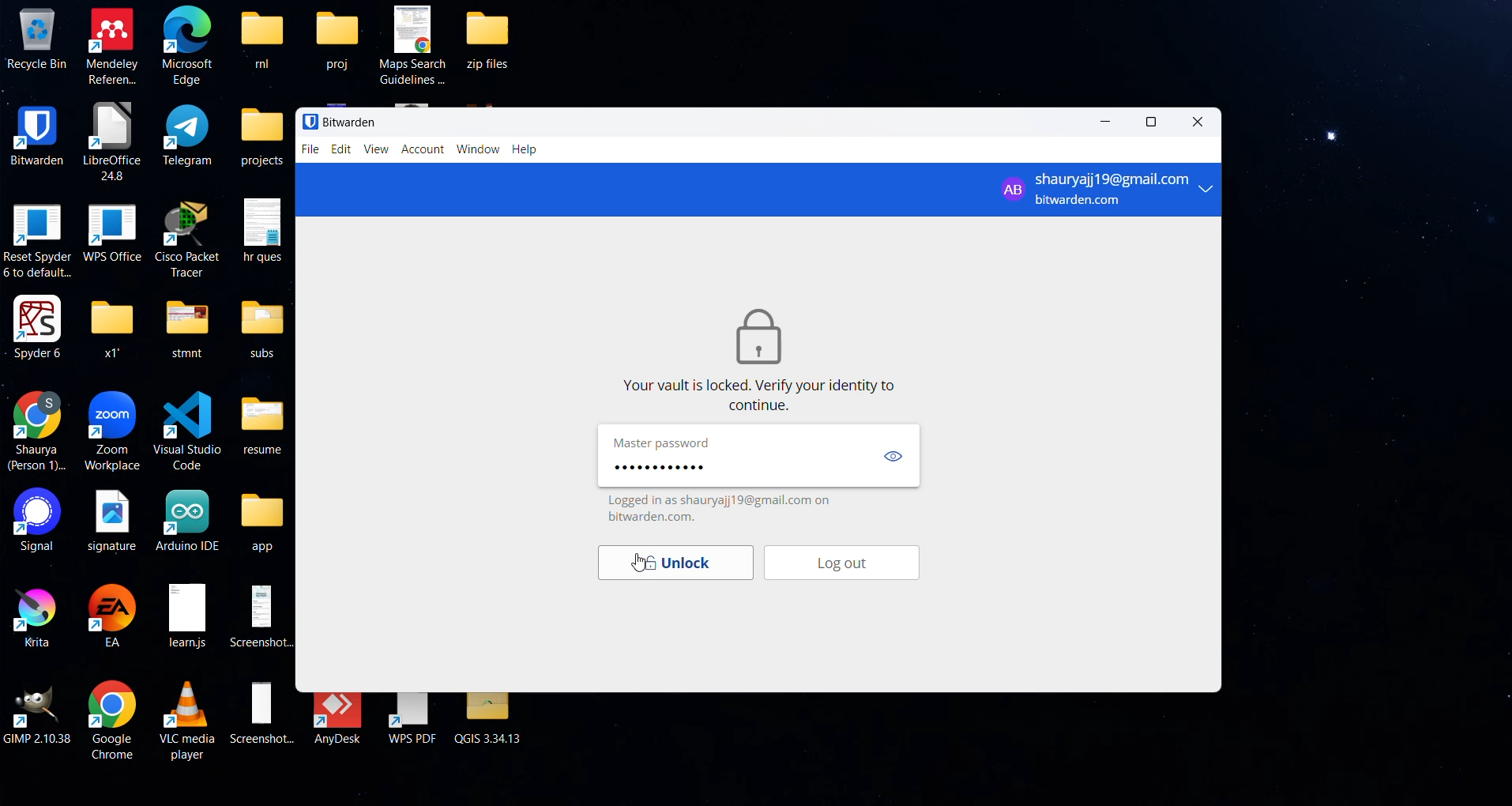  Describe the element at coordinates (340, 719) in the screenshot. I see `AnyDesk` at that location.